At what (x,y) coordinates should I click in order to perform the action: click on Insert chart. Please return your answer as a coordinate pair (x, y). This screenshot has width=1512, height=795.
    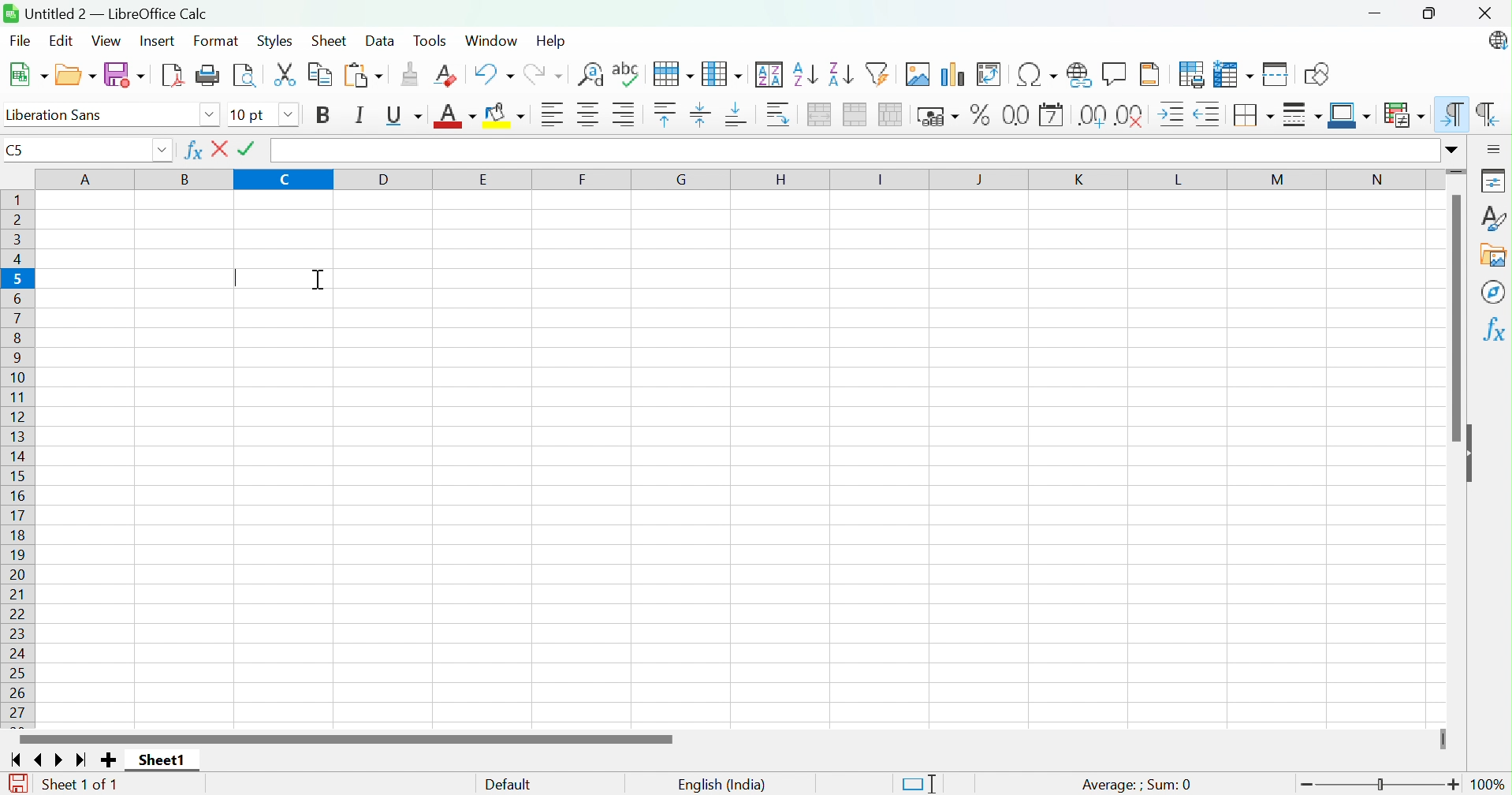
    Looking at the image, I should click on (954, 76).